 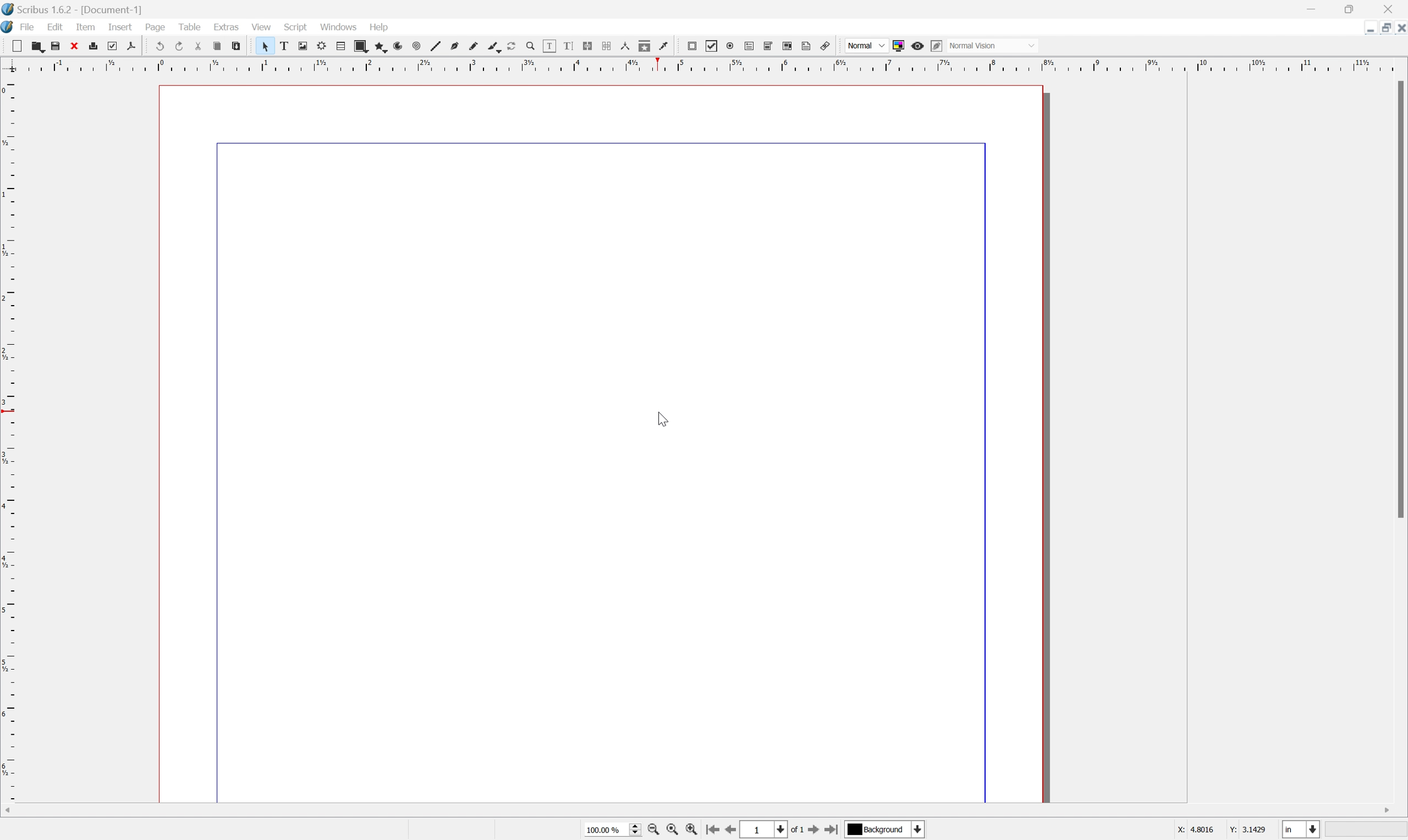 What do you see at coordinates (416, 46) in the screenshot?
I see `spiral` at bounding box center [416, 46].